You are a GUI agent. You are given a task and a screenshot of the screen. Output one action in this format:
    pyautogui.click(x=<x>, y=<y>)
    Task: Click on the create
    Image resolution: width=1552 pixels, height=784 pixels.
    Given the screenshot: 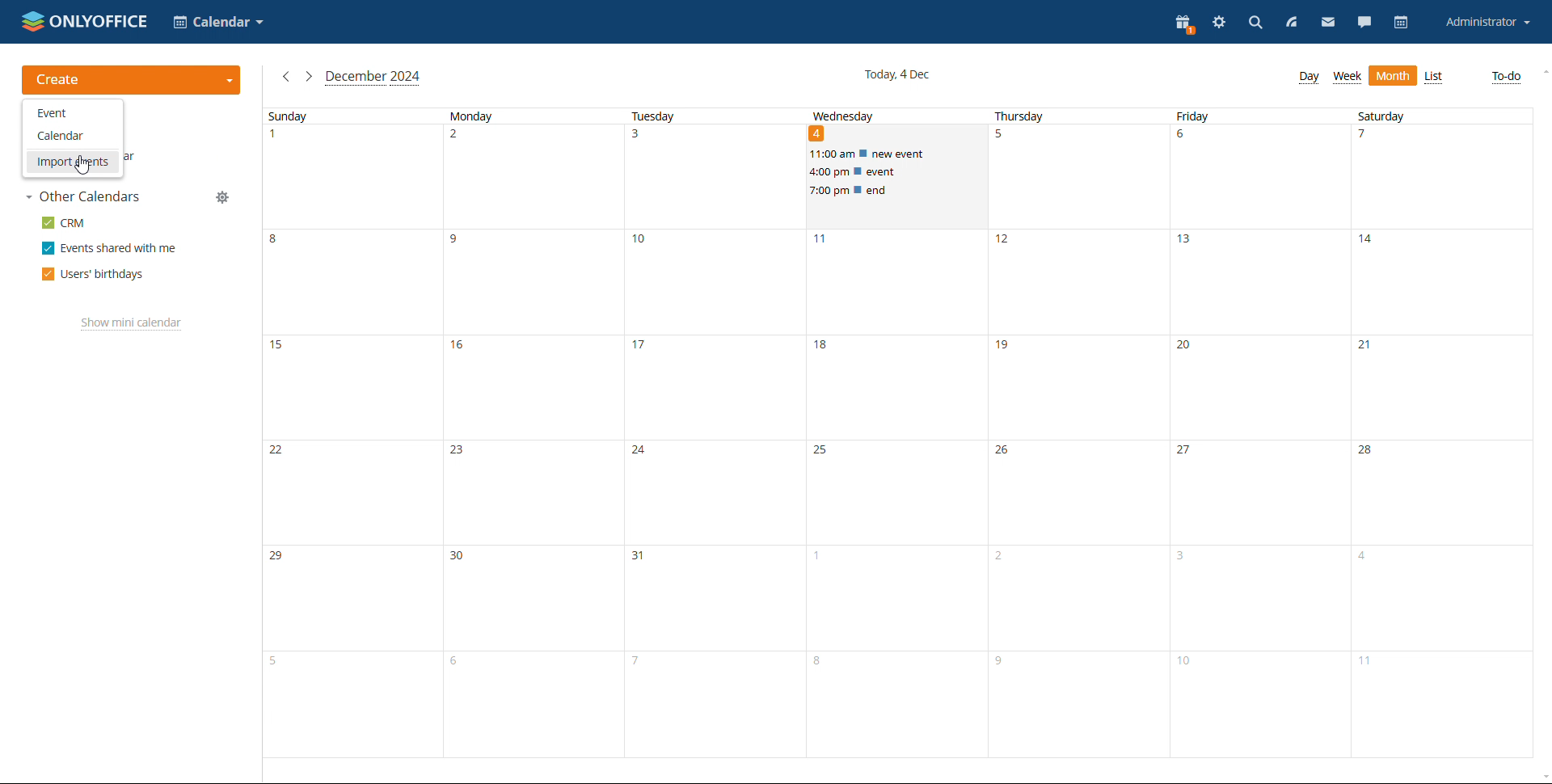 What is the action you would take?
    pyautogui.click(x=132, y=80)
    